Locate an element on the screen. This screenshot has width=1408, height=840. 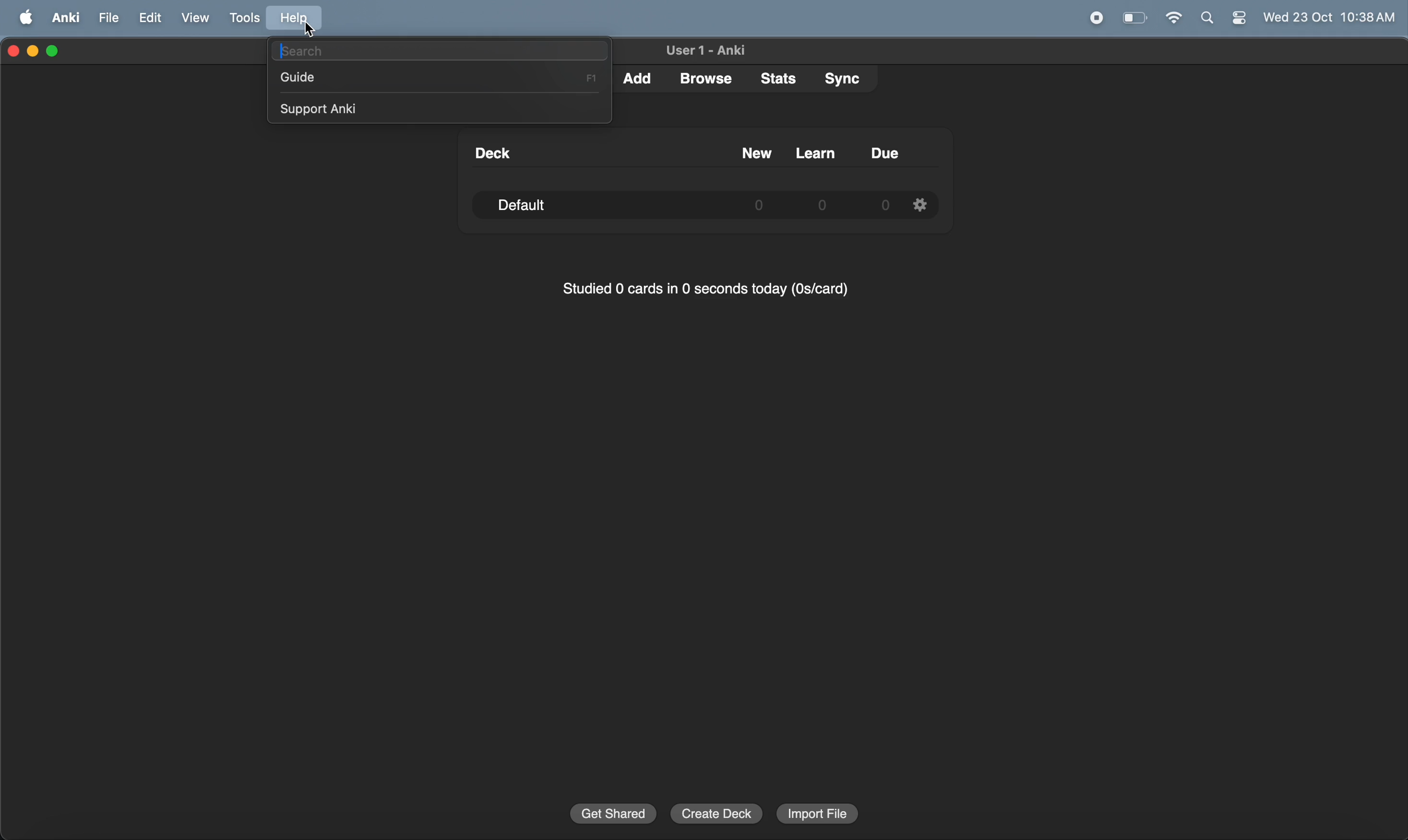
help is located at coordinates (300, 19).